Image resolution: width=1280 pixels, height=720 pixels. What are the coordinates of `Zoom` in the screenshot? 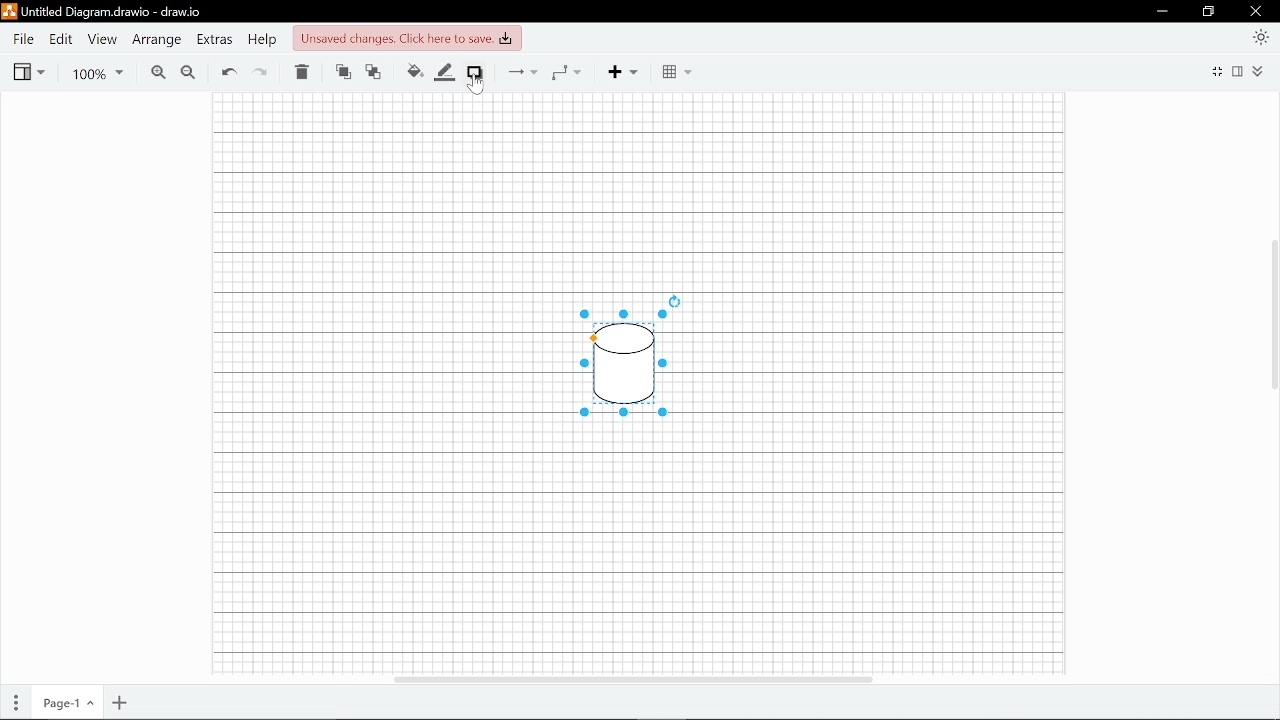 It's located at (96, 72).